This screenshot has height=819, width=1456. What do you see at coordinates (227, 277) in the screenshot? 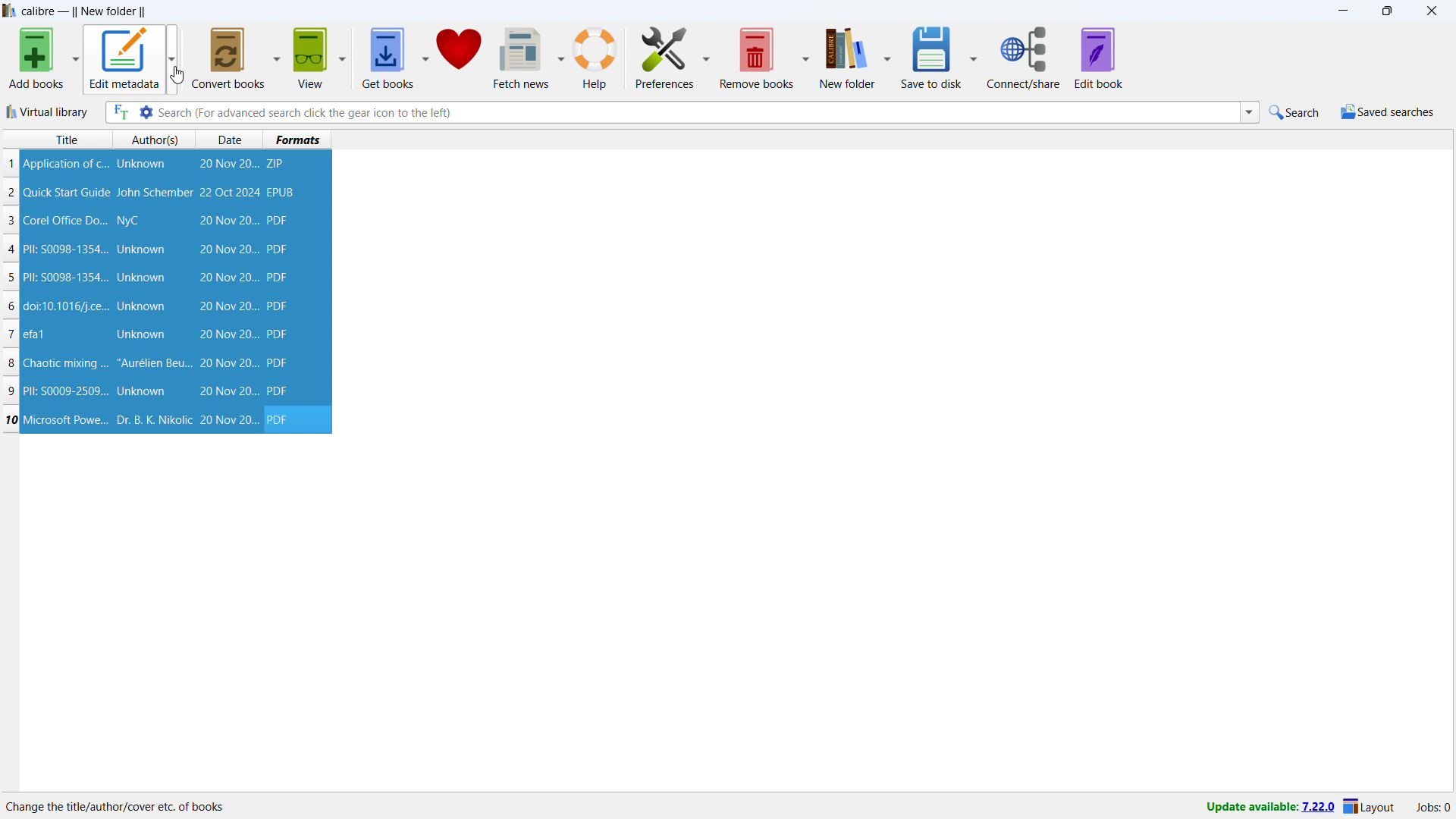
I see `20 Nov 20...` at bounding box center [227, 277].